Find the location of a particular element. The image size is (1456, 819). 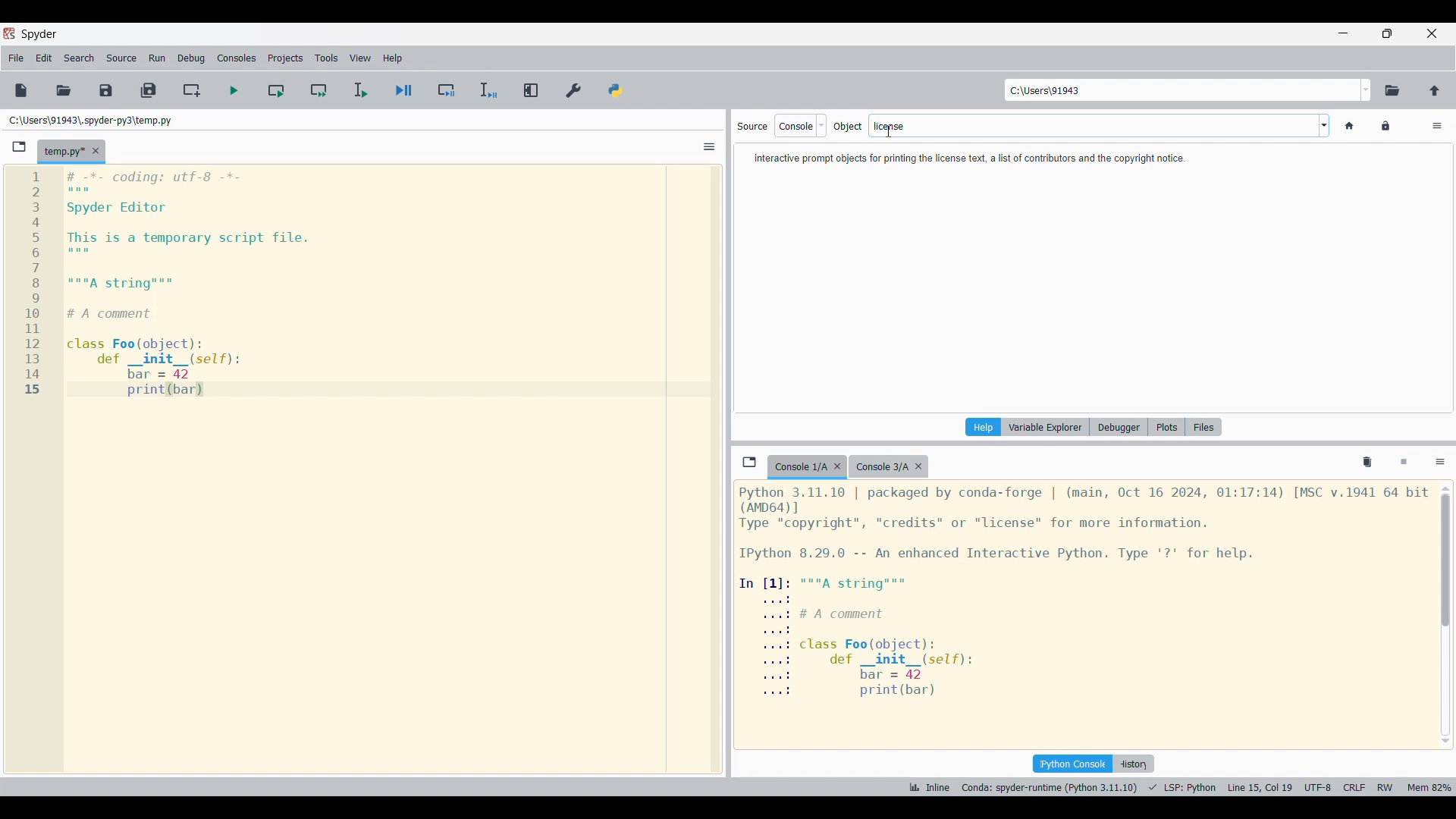

Save all files is located at coordinates (149, 90).